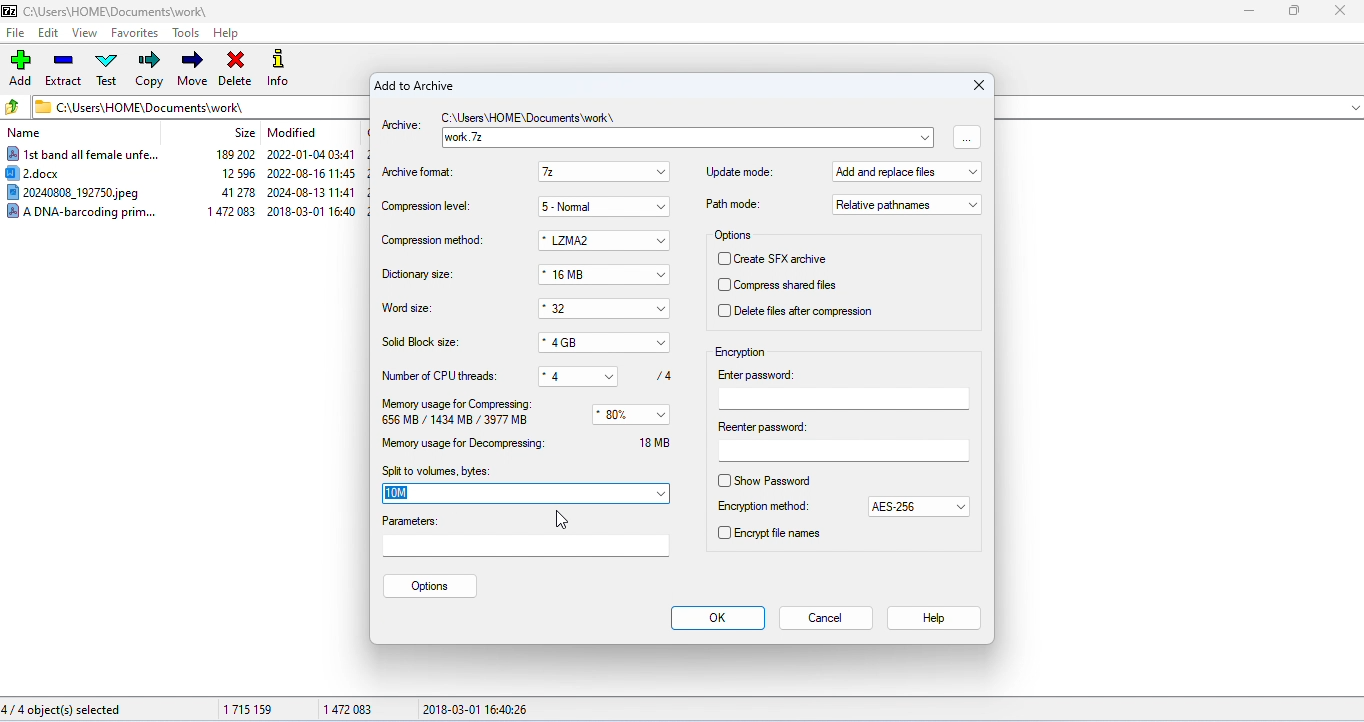  What do you see at coordinates (106, 11) in the screenshot?
I see `CAUsers\HOME\Documents\work\` at bounding box center [106, 11].